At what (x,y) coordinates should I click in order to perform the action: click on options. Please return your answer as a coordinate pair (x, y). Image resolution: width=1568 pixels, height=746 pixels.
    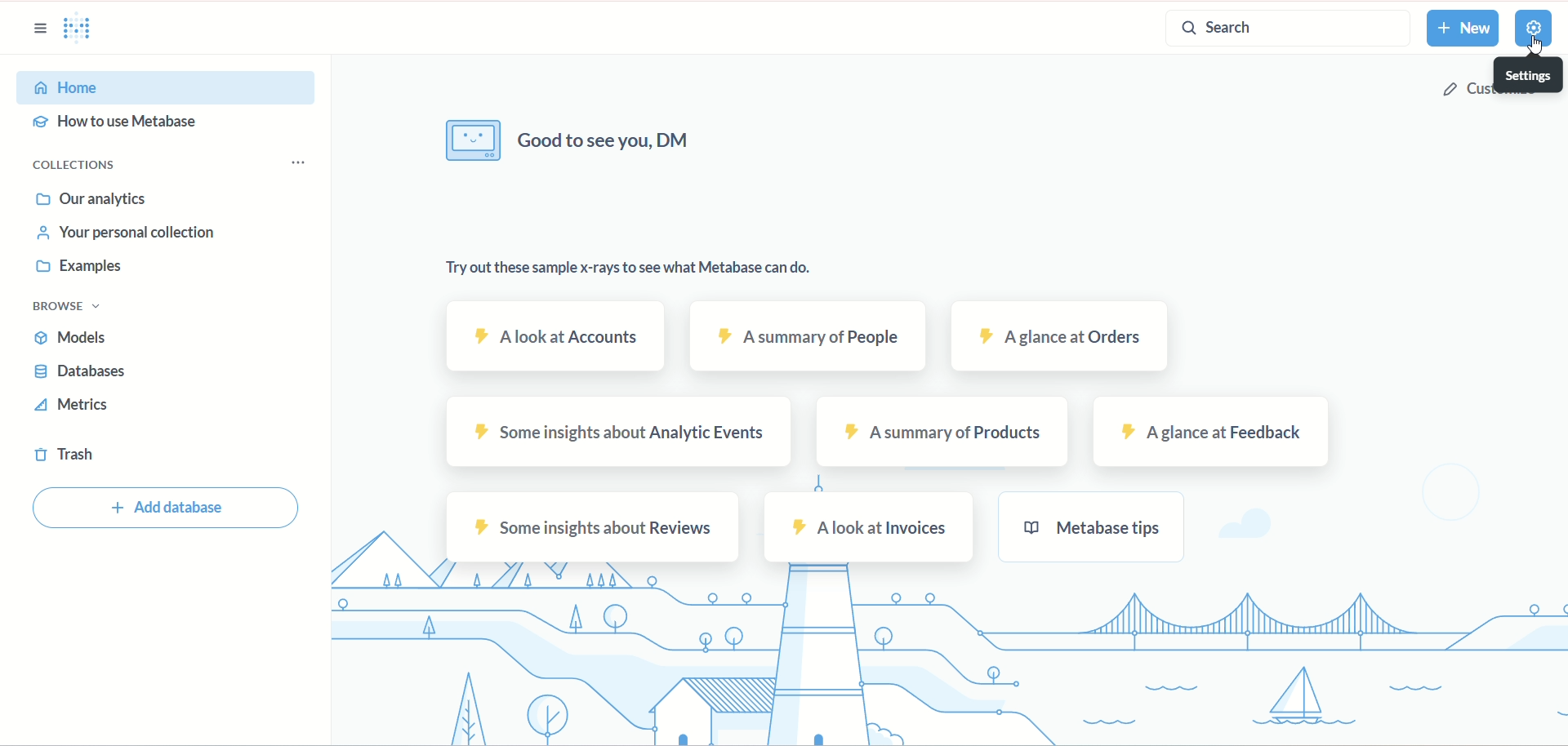
    Looking at the image, I should click on (38, 29).